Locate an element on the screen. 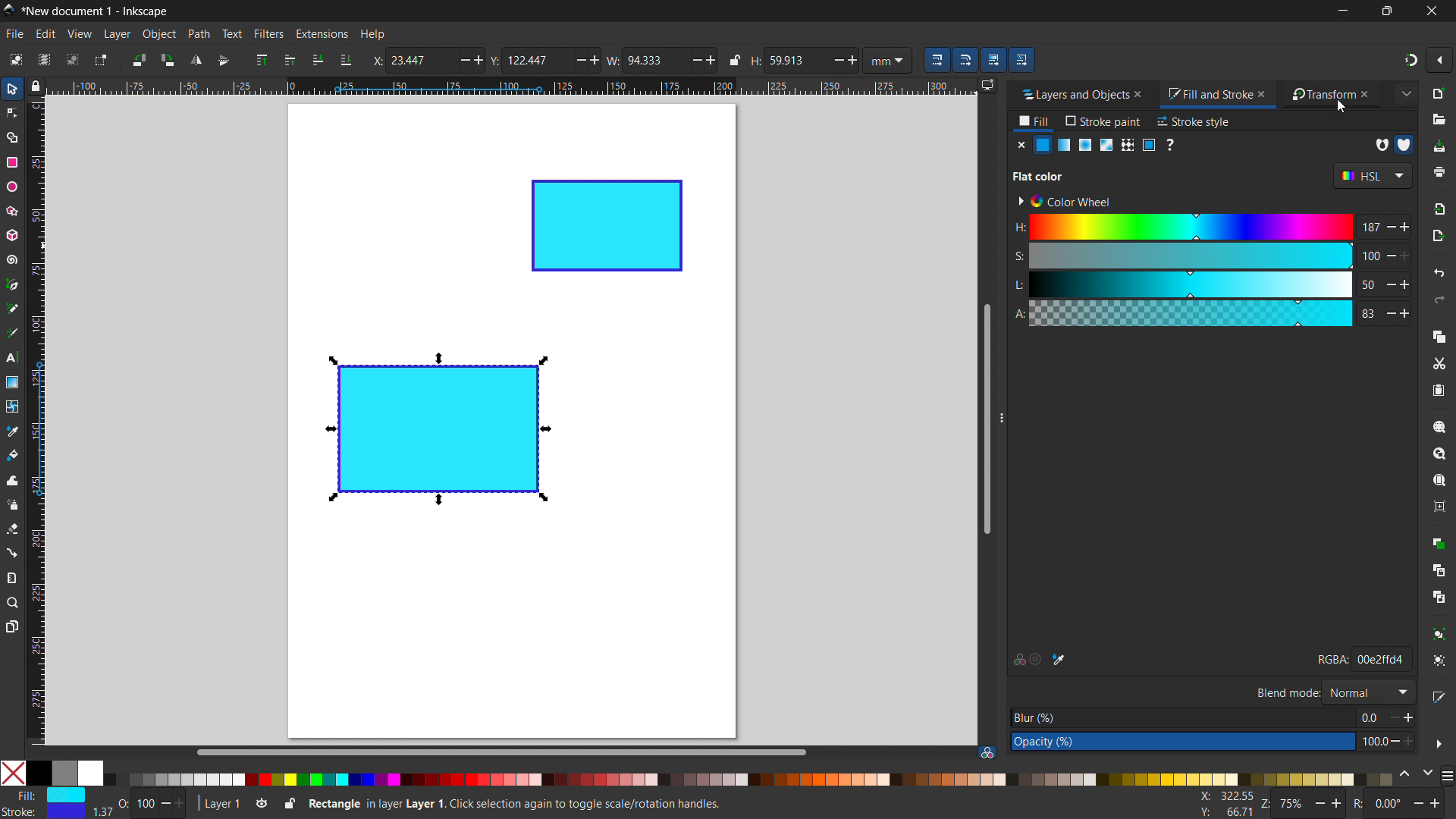 This screenshot has width=1456, height=819. open fill and stroke is located at coordinates (1440, 696).